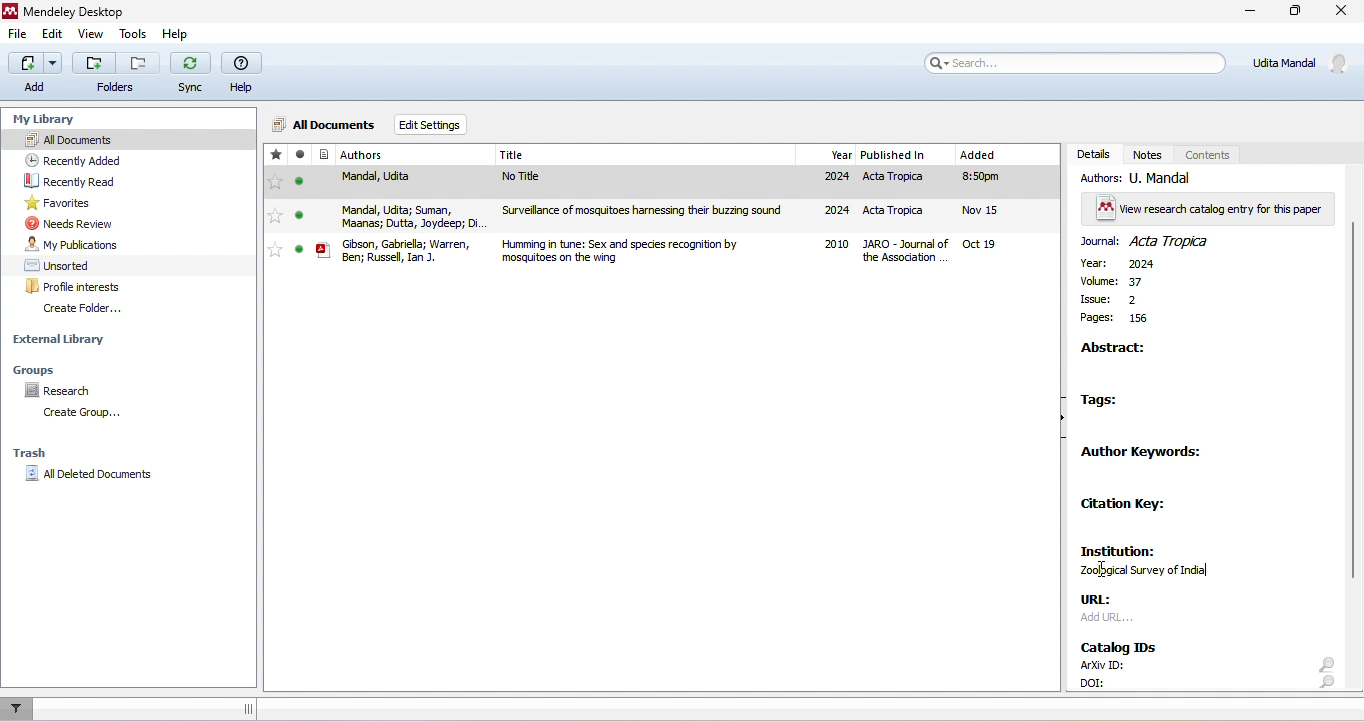  What do you see at coordinates (1101, 681) in the screenshot?
I see `doi` at bounding box center [1101, 681].